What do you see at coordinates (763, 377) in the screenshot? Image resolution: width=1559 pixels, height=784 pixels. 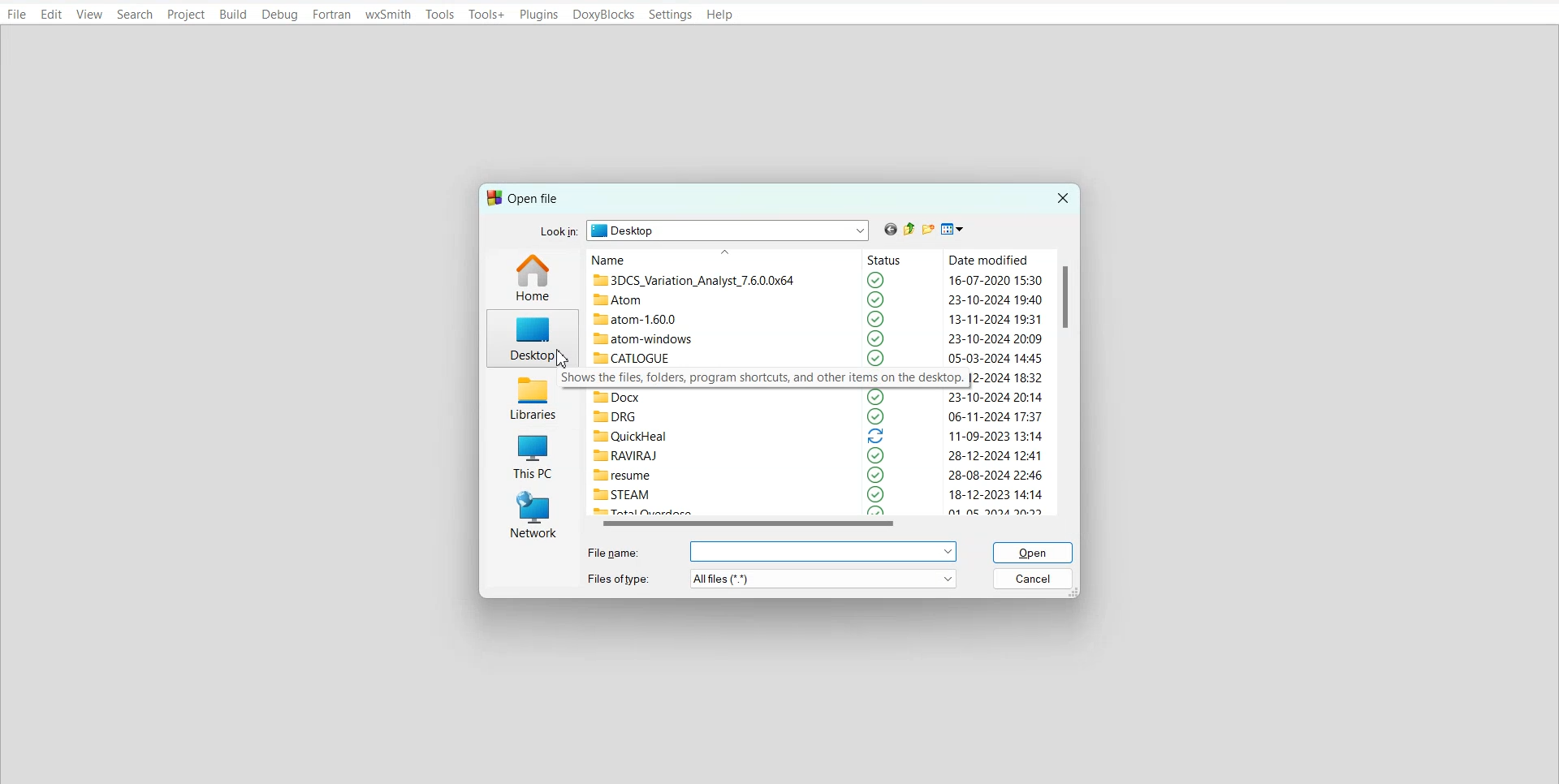 I see `Shows the files, folders, program shortcuts, and other items on the desktop.` at bounding box center [763, 377].